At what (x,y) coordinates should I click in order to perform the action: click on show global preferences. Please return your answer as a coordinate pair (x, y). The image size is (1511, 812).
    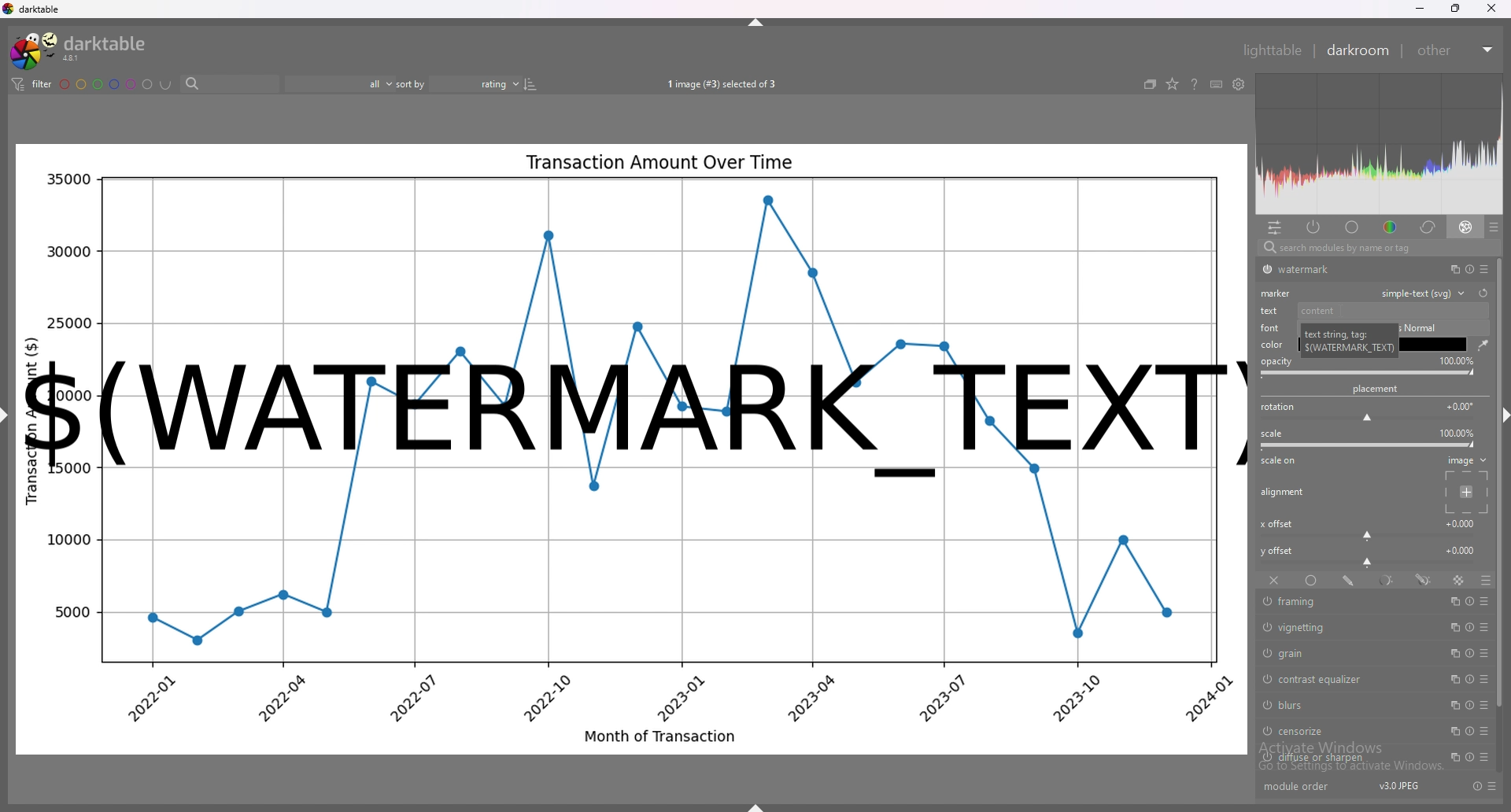
    Looking at the image, I should click on (1238, 84).